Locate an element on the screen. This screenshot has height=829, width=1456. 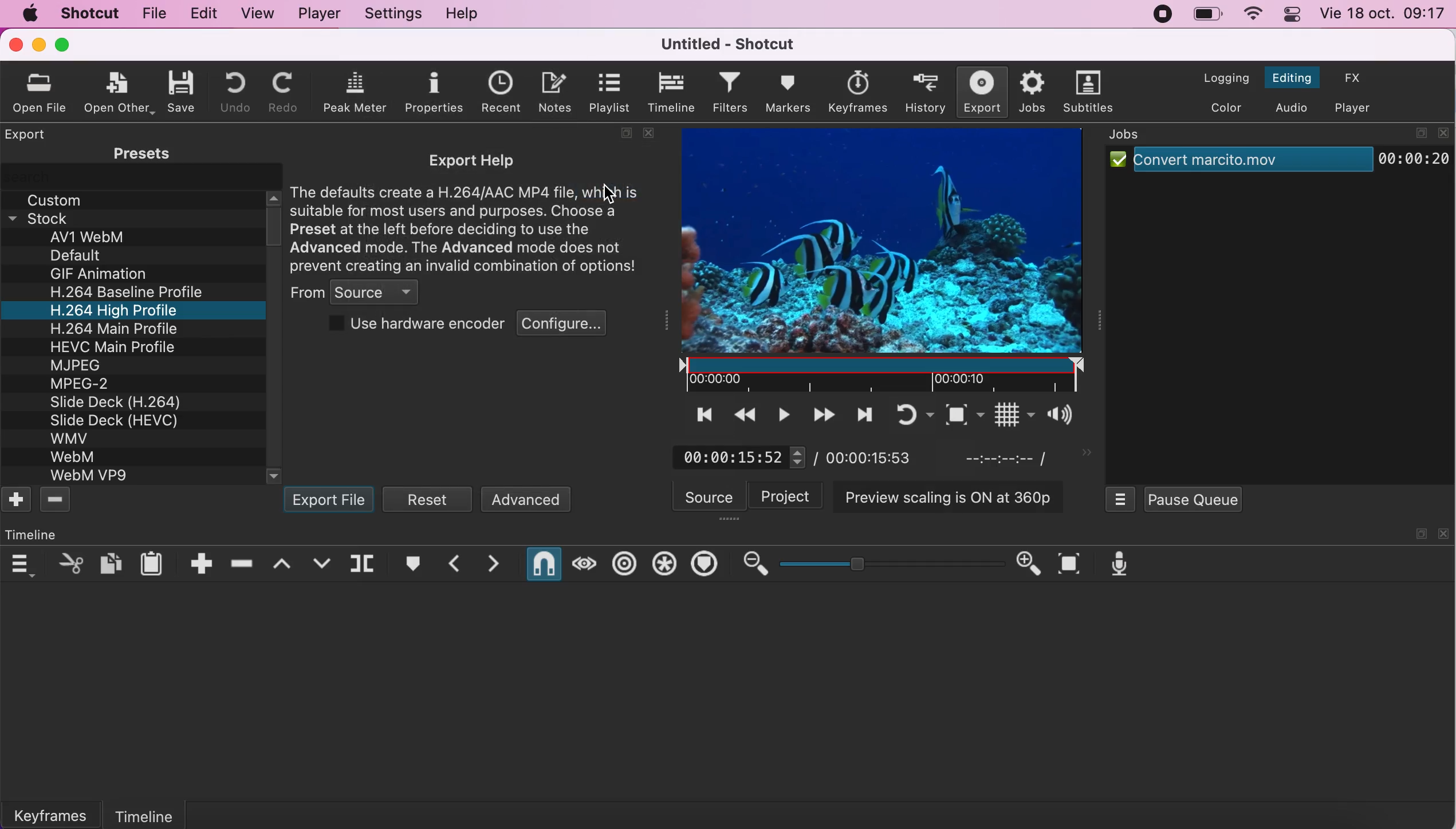
subtitles is located at coordinates (1088, 92).